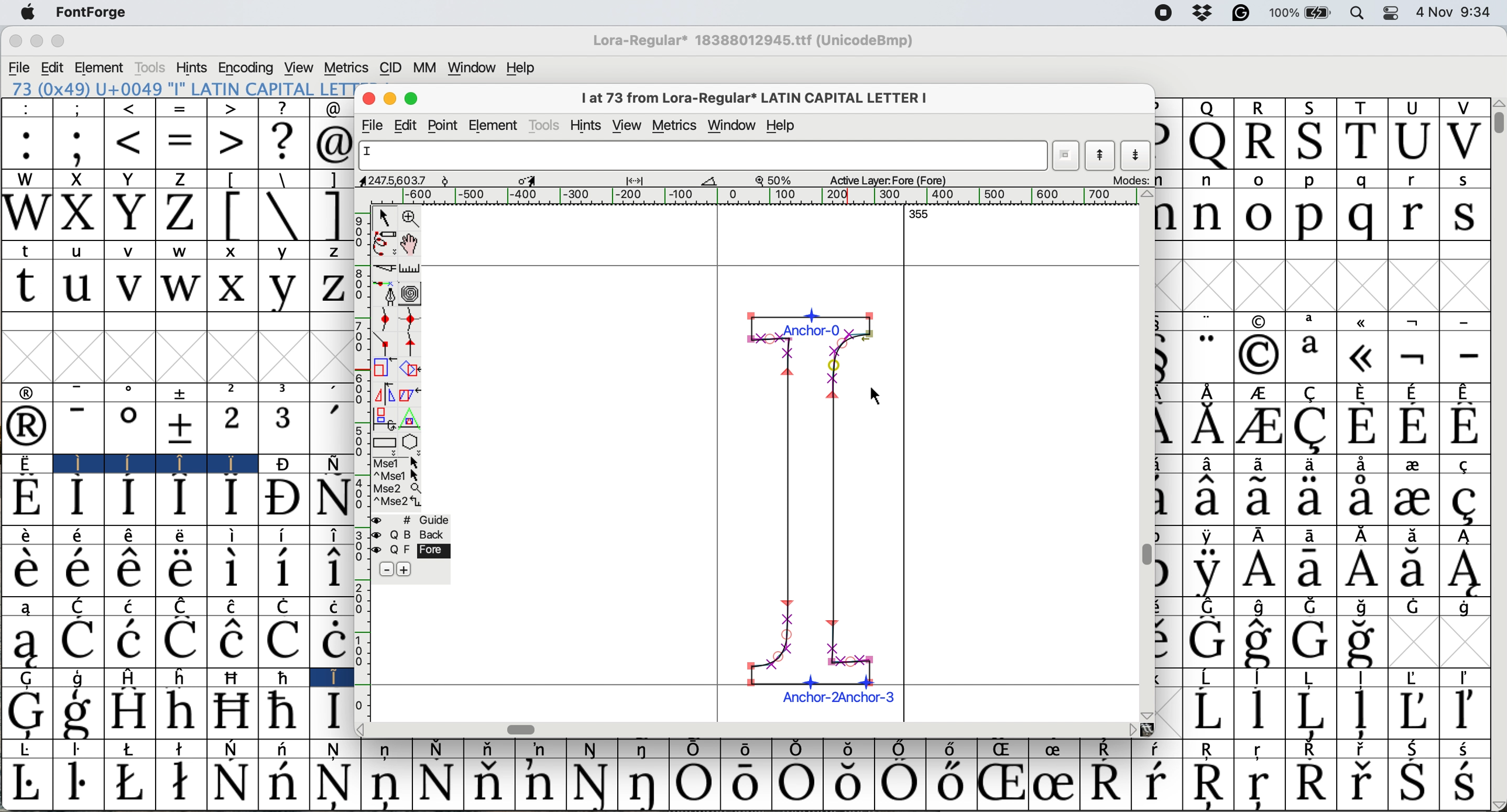 Image resolution: width=1507 pixels, height=812 pixels. I want to click on w, so click(185, 253).